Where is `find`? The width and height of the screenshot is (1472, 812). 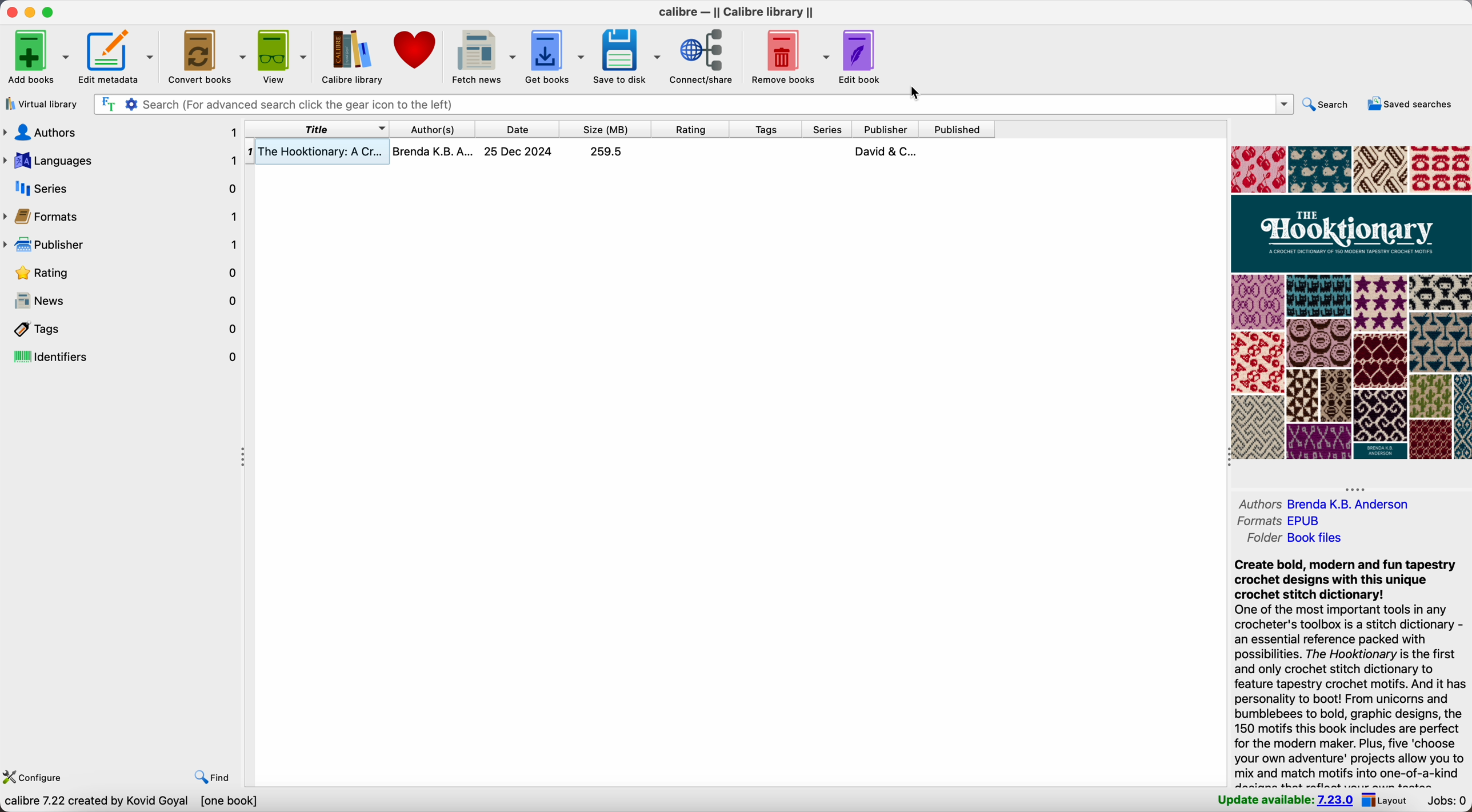
find is located at coordinates (211, 779).